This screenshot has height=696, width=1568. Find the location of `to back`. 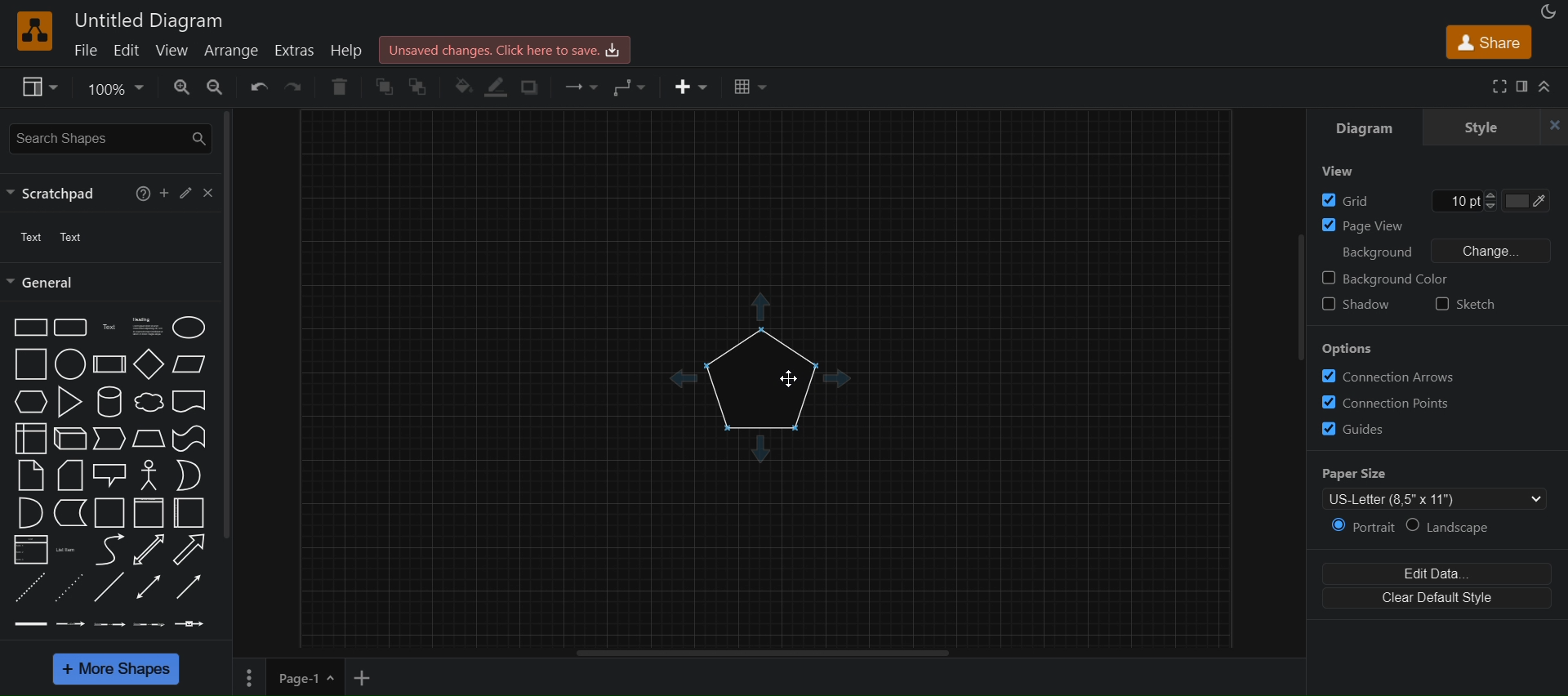

to back is located at coordinates (420, 86).